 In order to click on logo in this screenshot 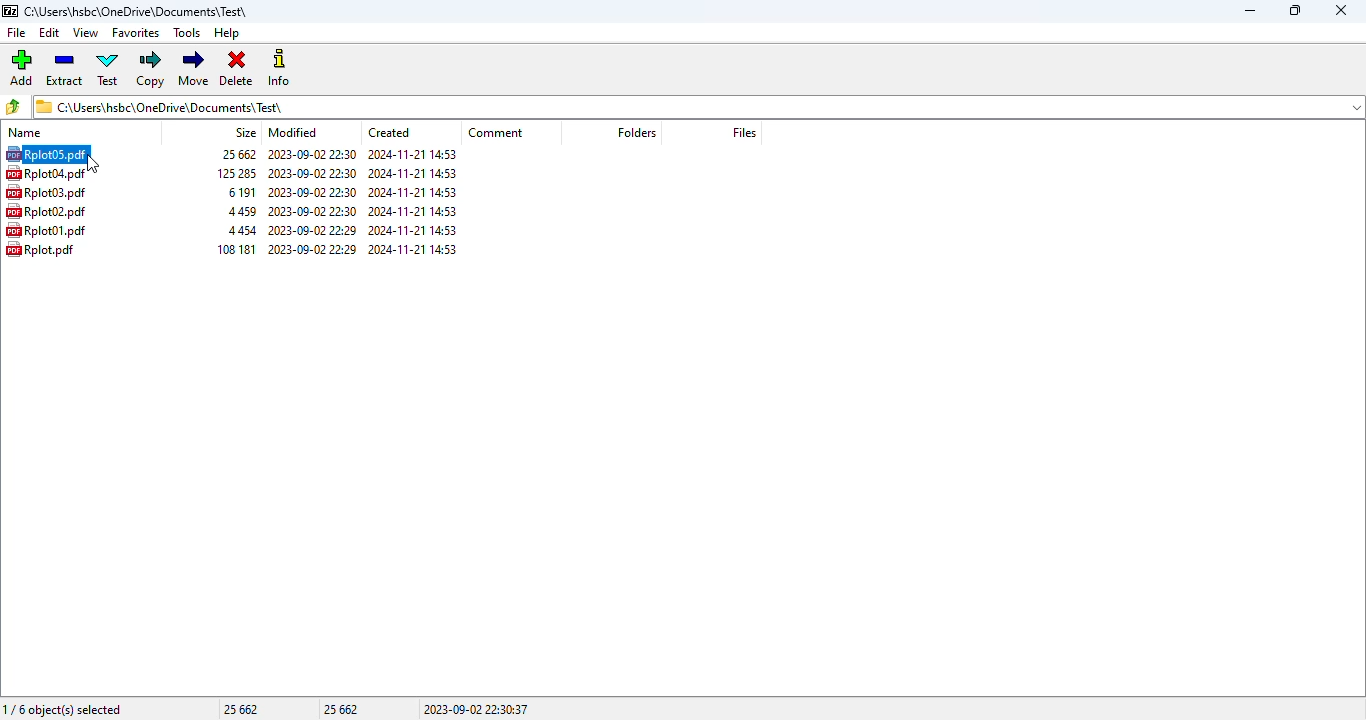, I will do `click(10, 11)`.